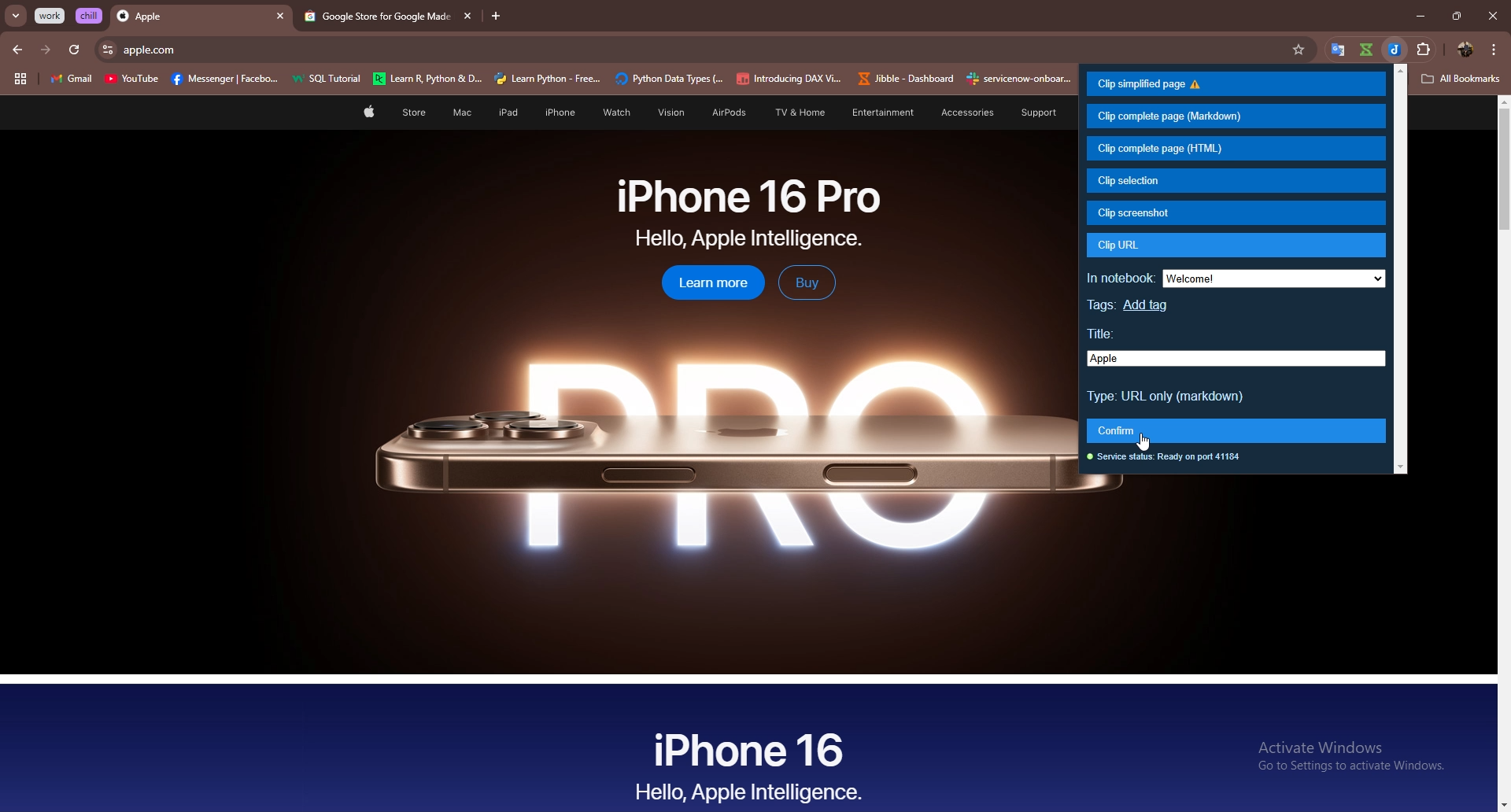 This screenshot has width=1511, height=812. What do you see at coordinates (1401, 270) in the screenshot?
I see `scroll bar` at bounding box center [1401, 270].